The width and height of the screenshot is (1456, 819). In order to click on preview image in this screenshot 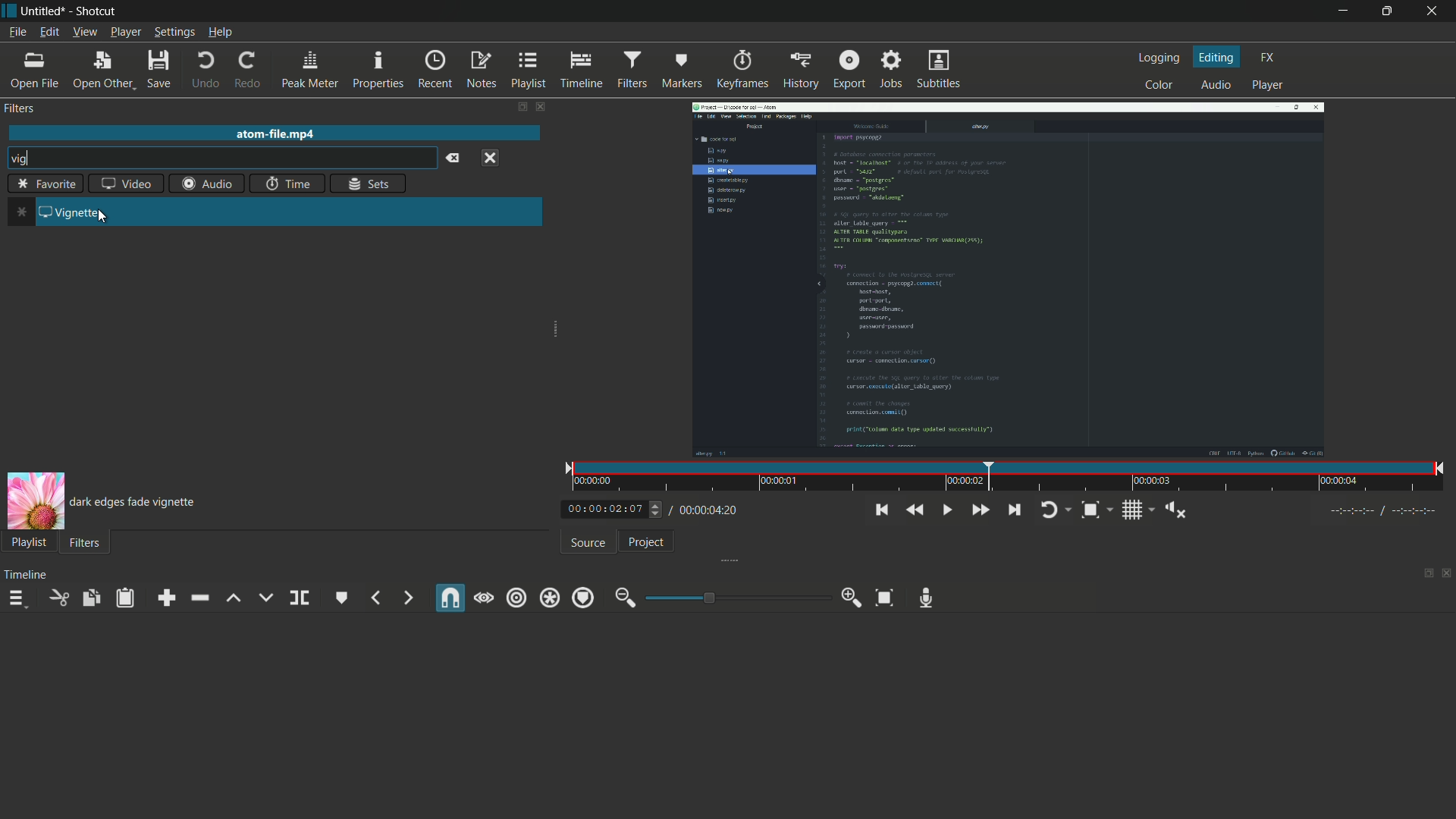, I will do `click(35, 500)`.